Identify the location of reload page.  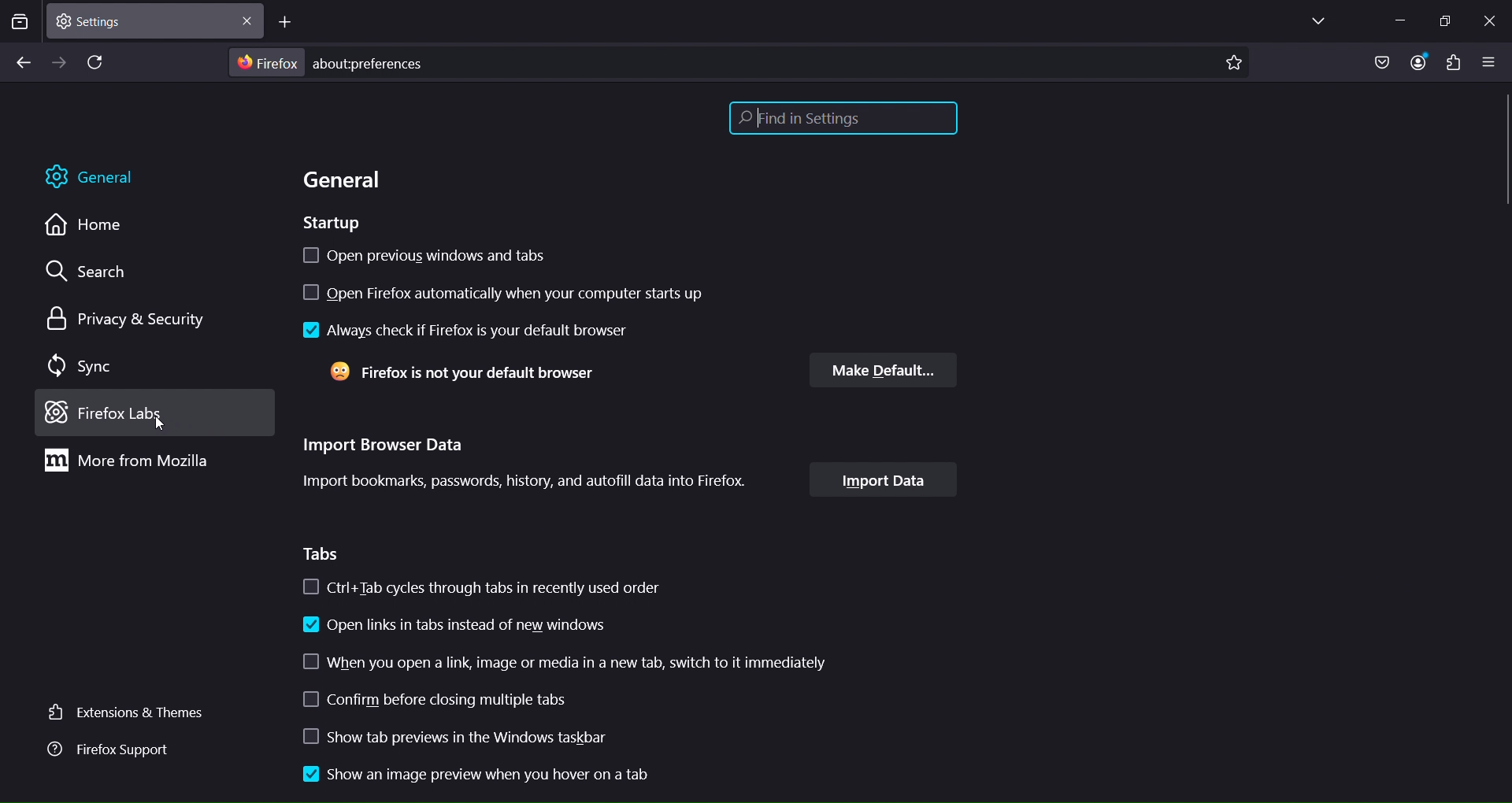
(98, 64).